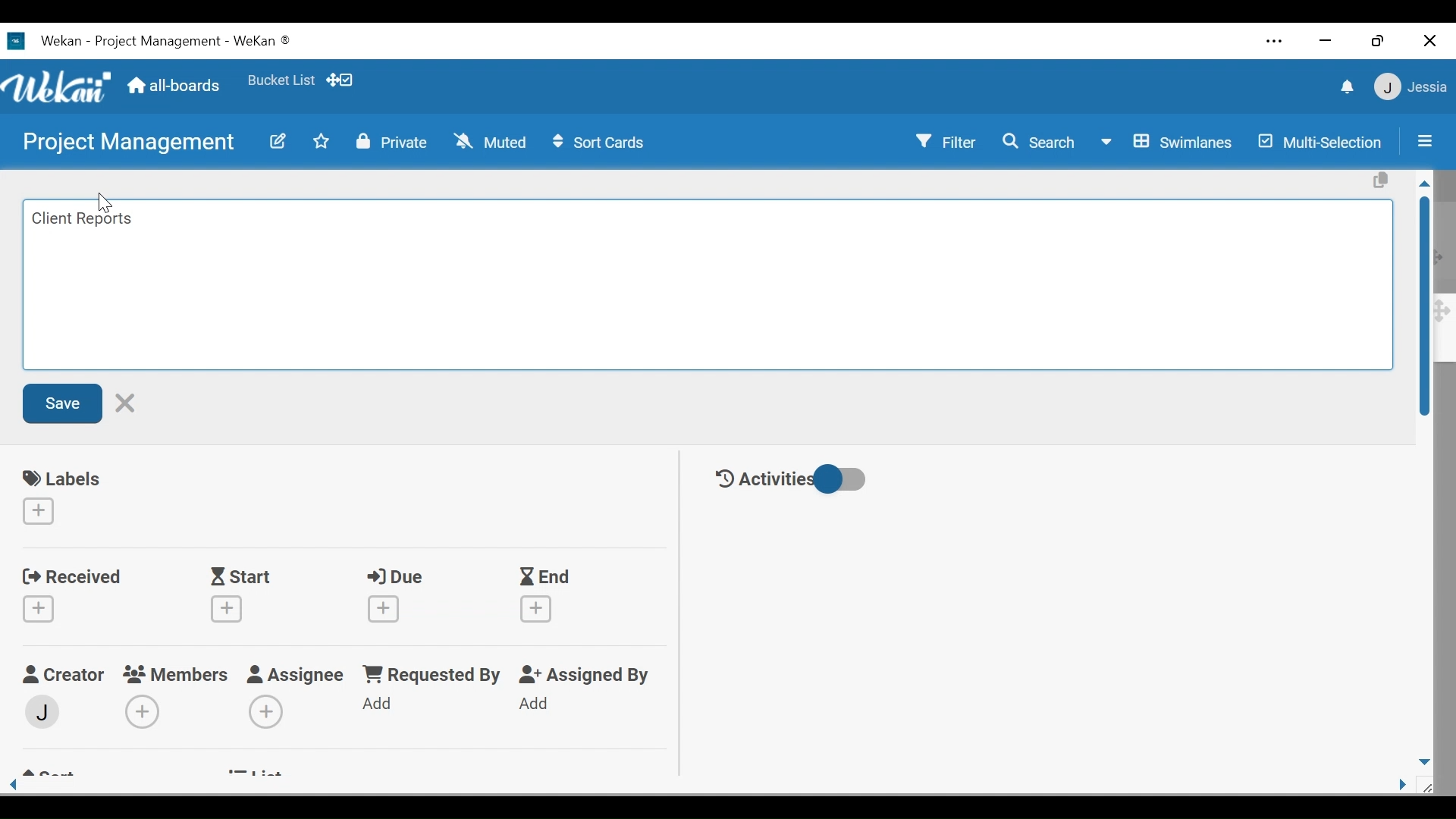 This screenshot has height=819, width=1456. What do you see at coordinates (58, 86) in the screenshot?
I see `Wekan logo` at bounding box center [58, 86].